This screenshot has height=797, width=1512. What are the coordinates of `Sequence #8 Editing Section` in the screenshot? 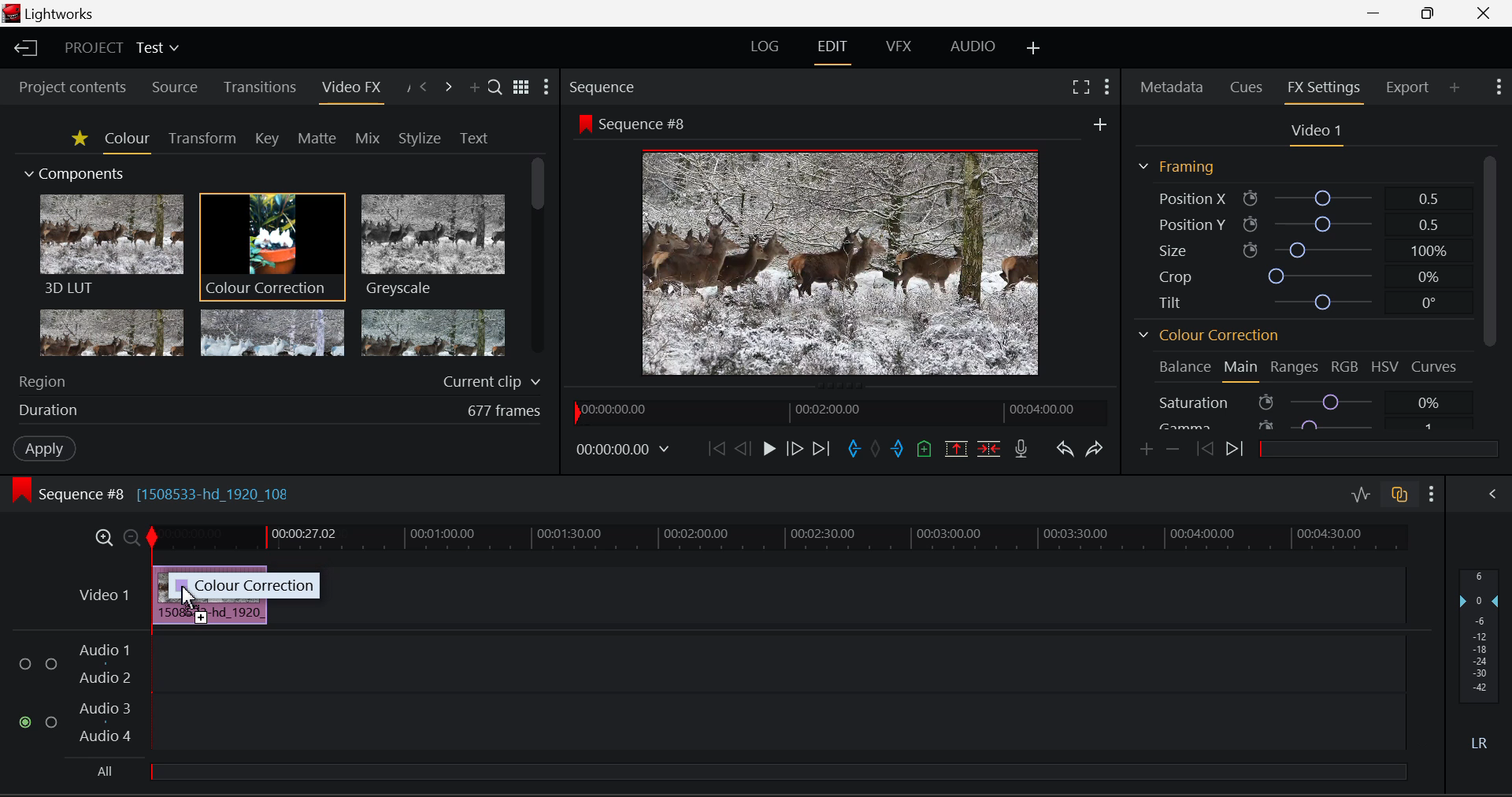 It's located at (148, 493).